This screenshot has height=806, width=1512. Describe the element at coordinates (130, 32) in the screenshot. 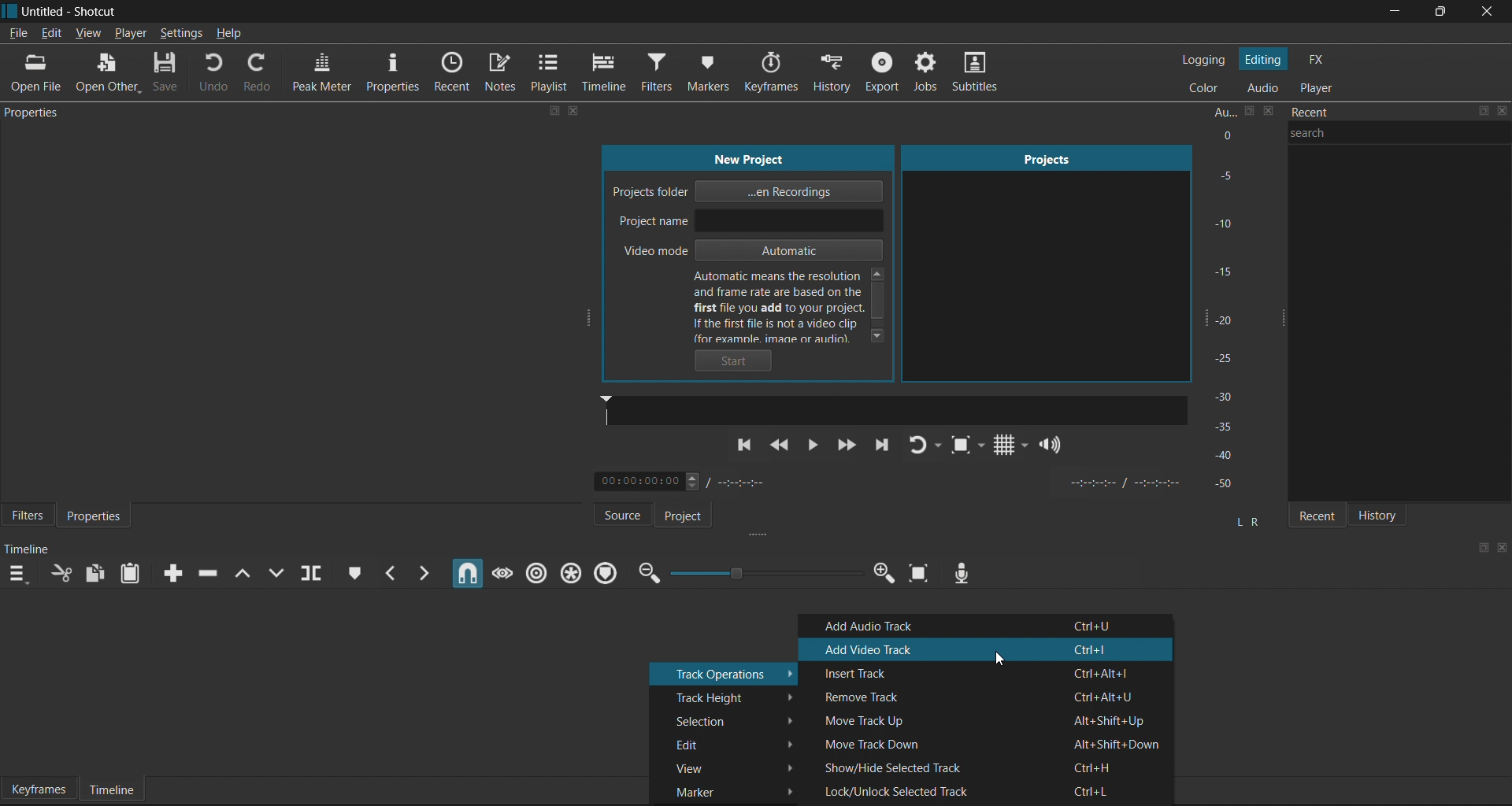

I see `Player` at that location.